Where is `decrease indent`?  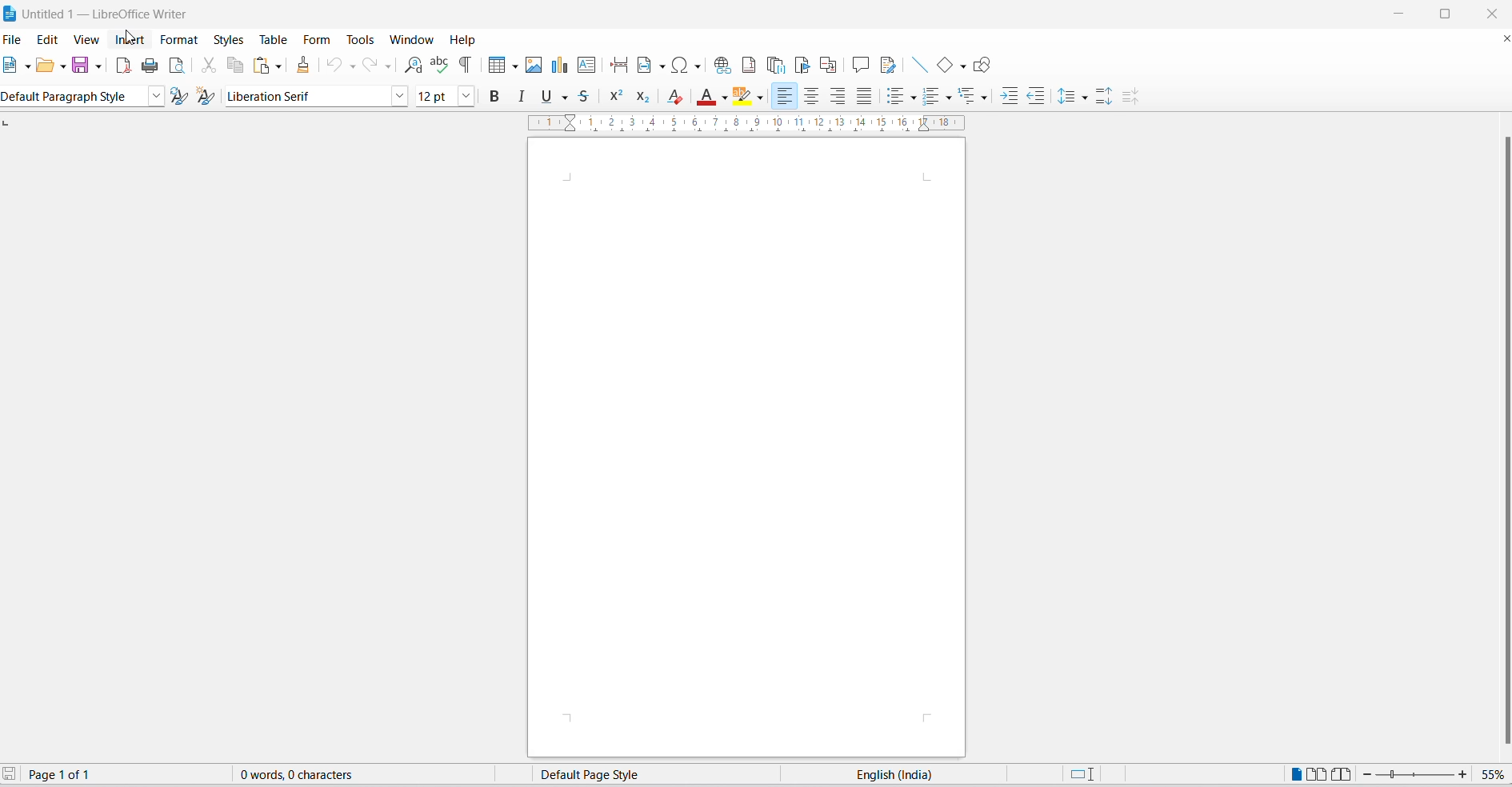 decrease indent is located at coordinates (1035, 97).